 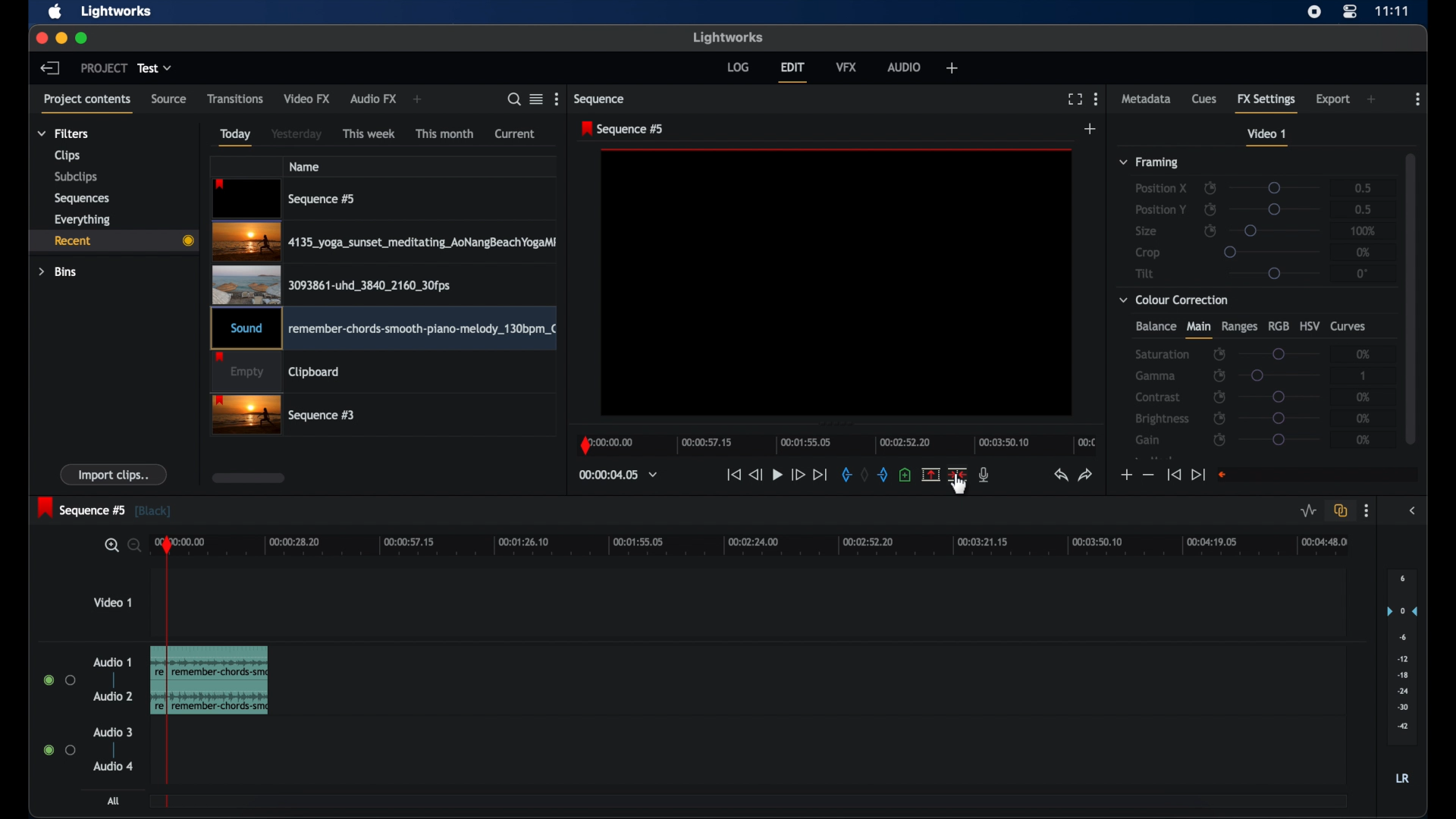 I want to click on zoom in, so click(x=108, y=545).